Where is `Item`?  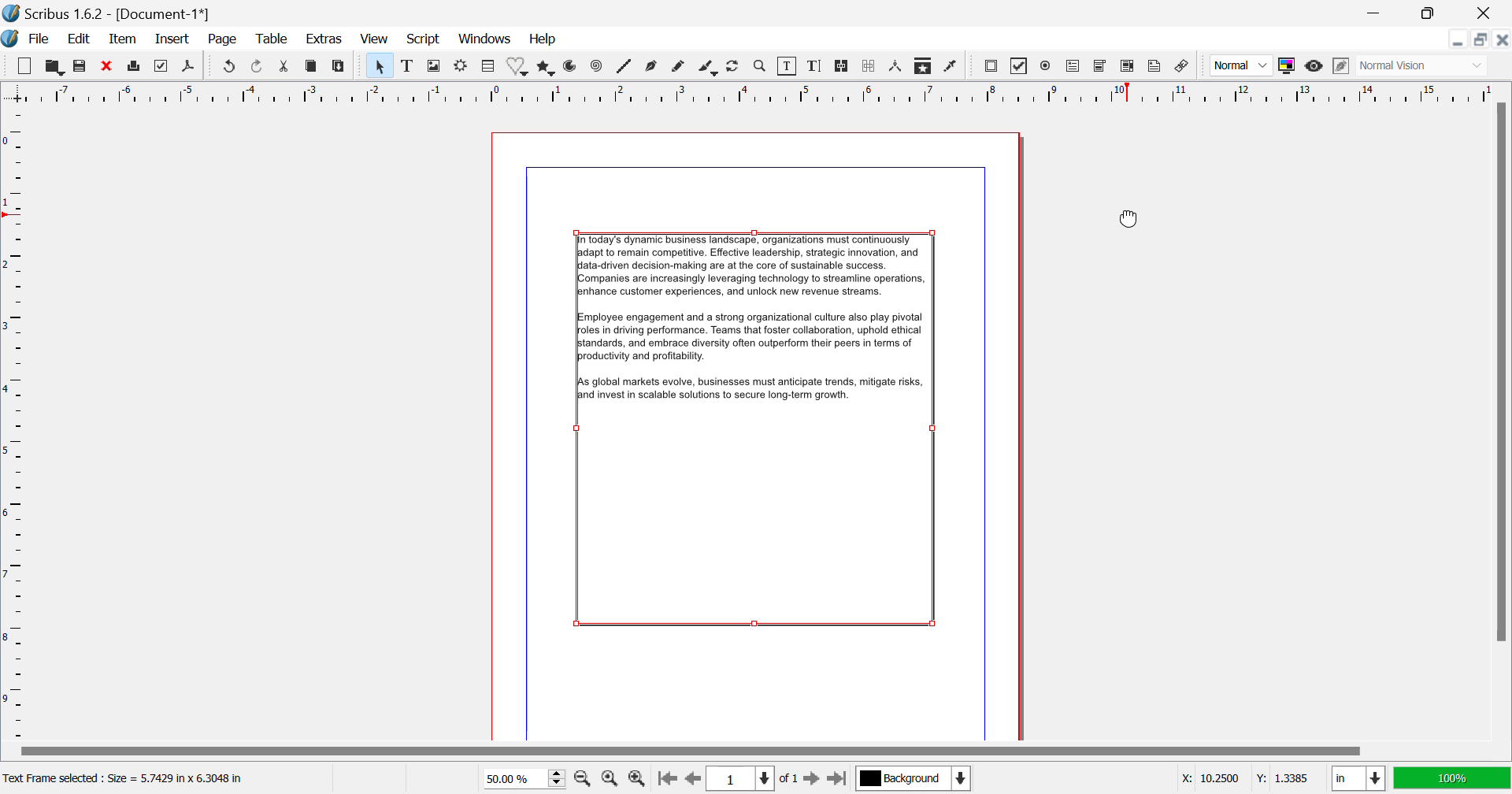
Item is located at coordinates (121, 40).